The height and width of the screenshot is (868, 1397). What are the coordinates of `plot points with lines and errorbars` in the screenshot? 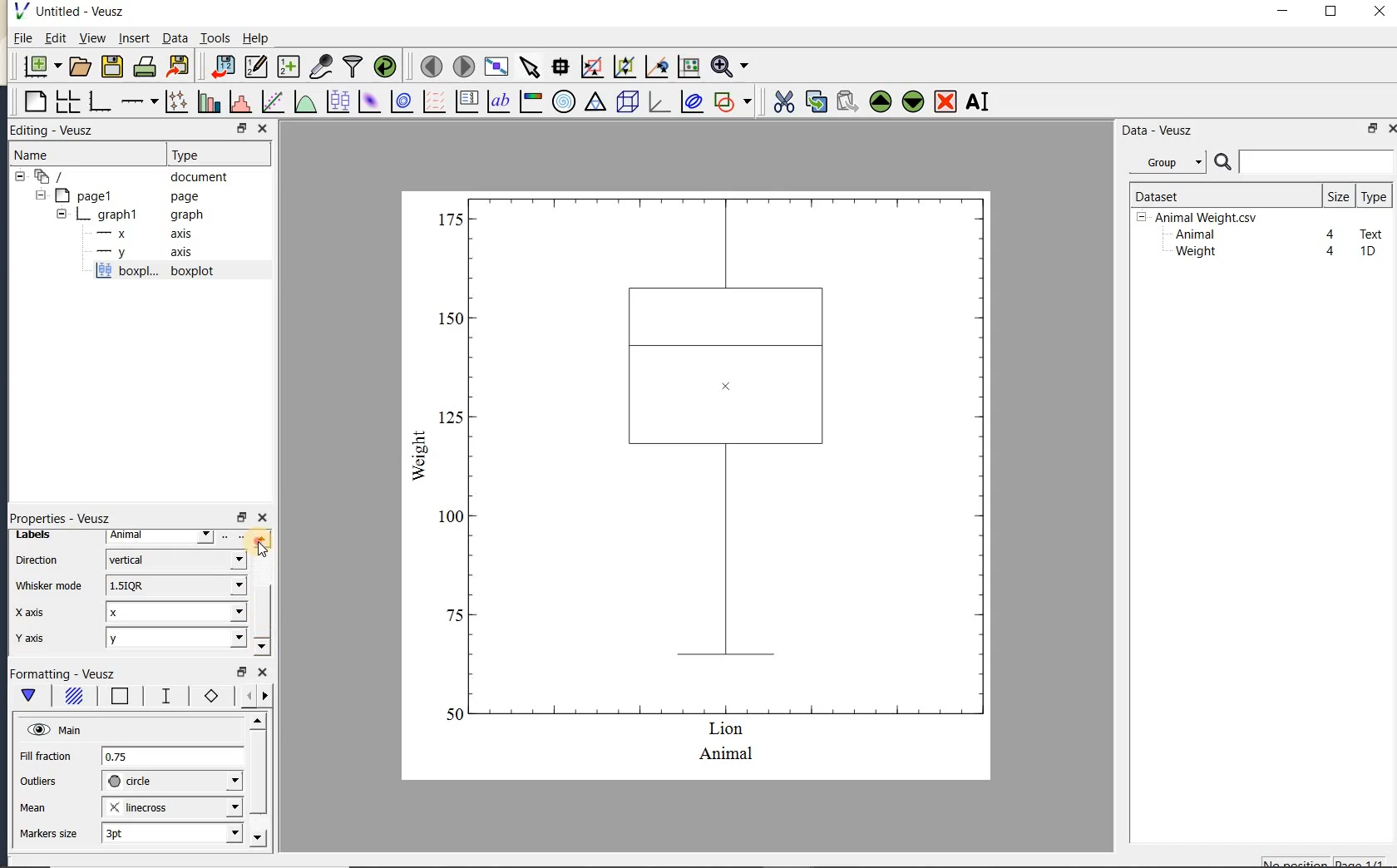 It's located at (178, 101).